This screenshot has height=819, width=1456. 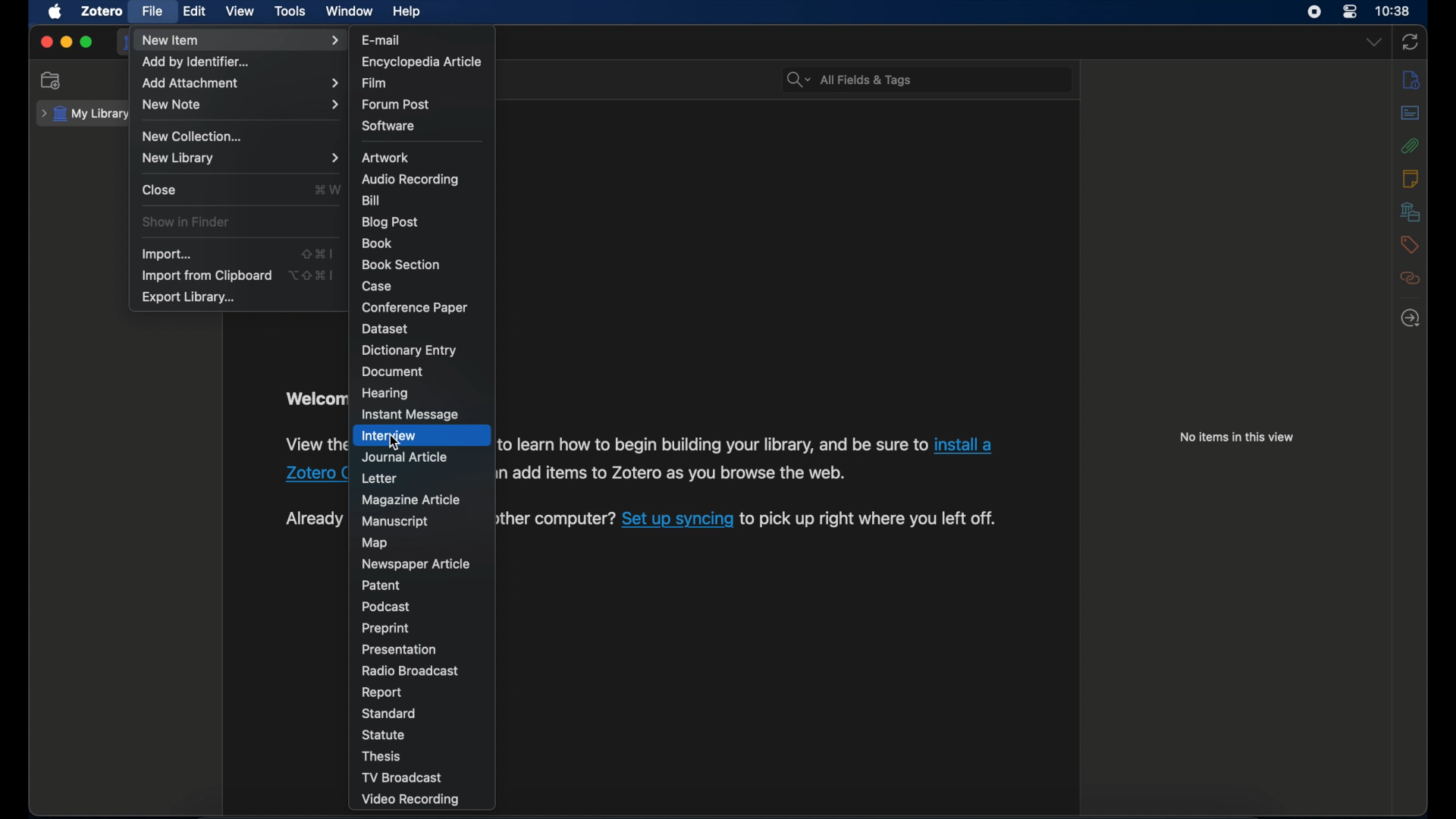 I want to click on cursor, so click(x=395, y=443).